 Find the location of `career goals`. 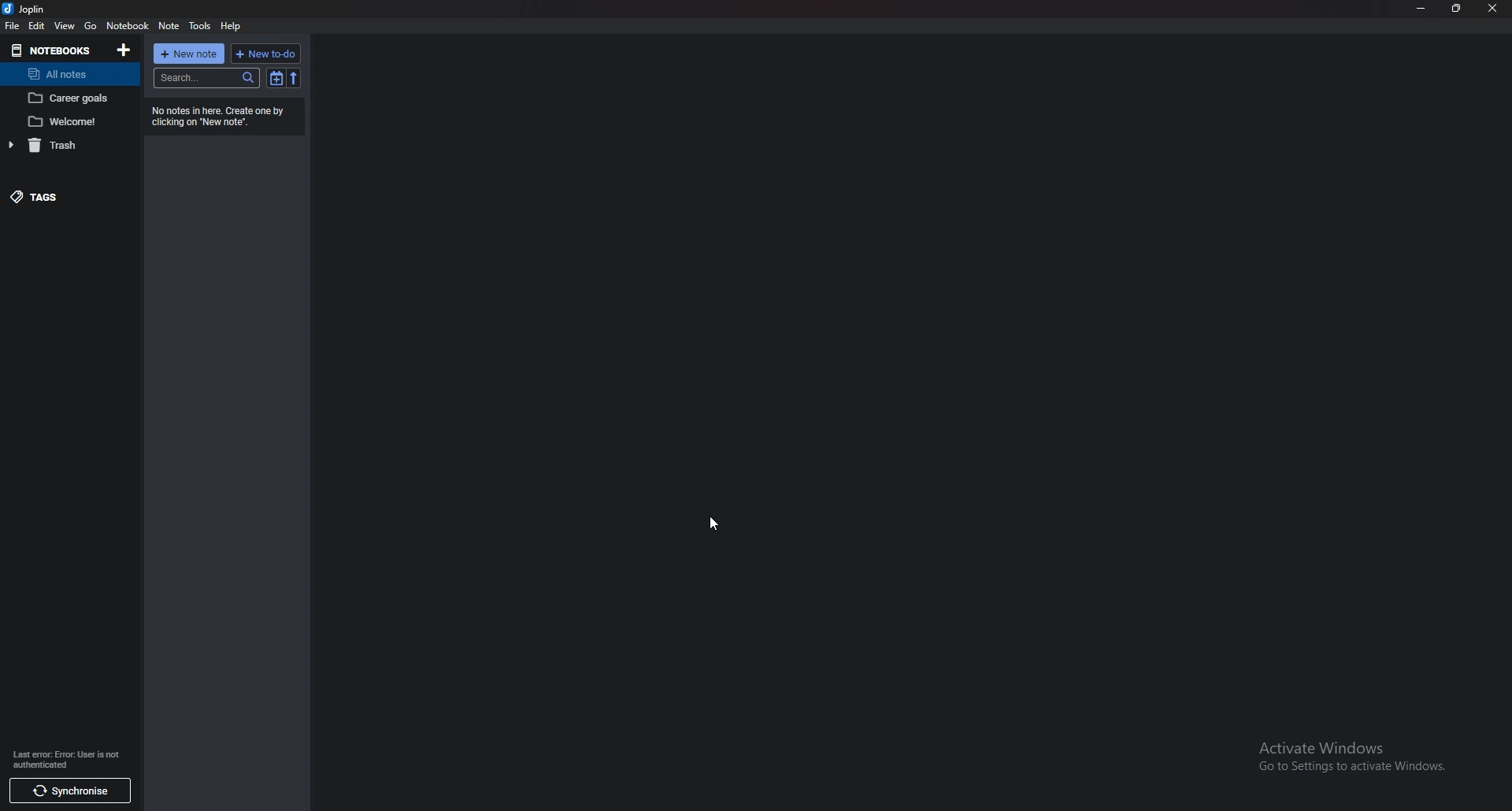

career goals is located at coordinates (69, 98).